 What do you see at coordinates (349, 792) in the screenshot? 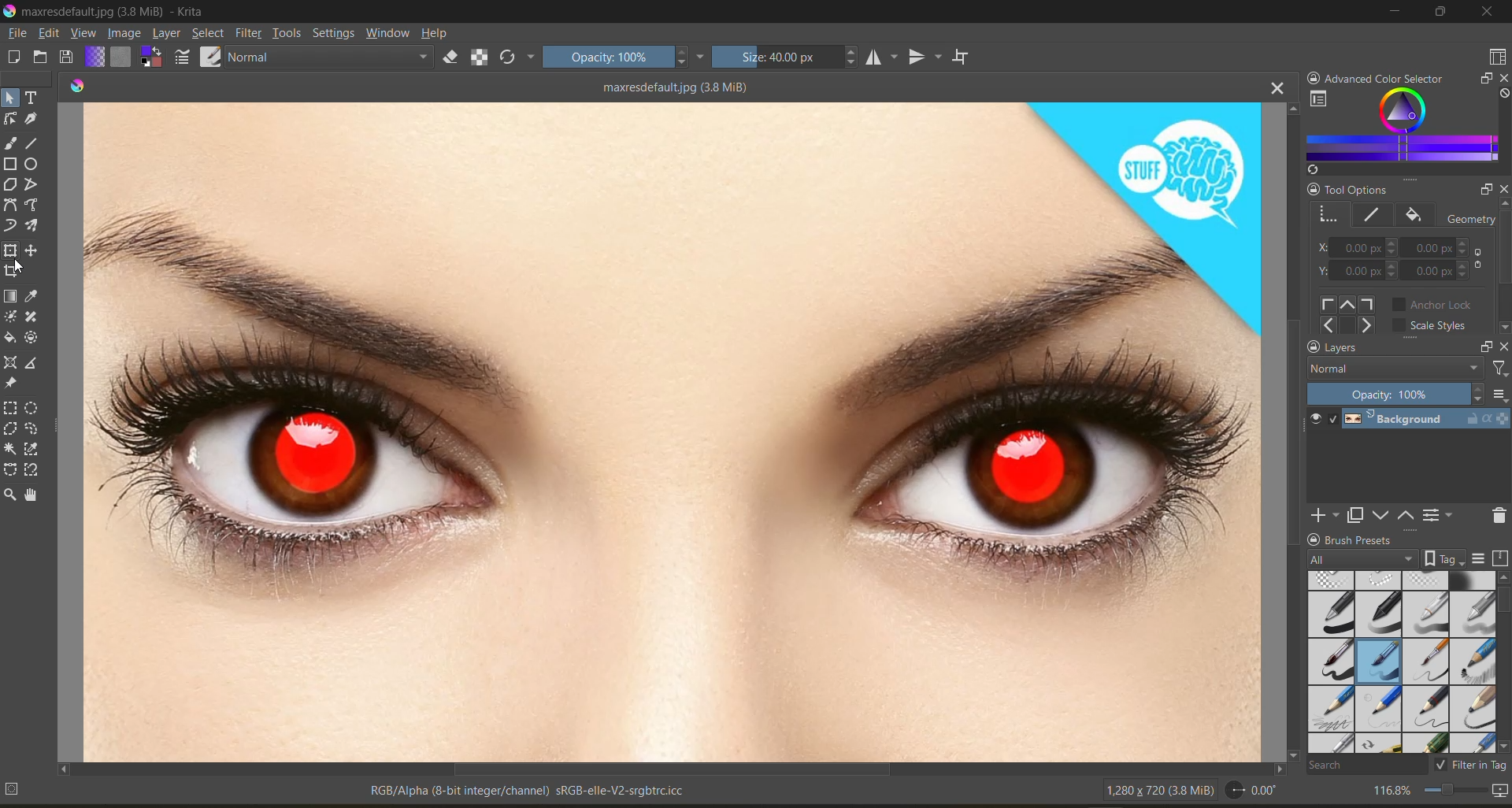
I see `metadata` at bounding box center [349, 792].